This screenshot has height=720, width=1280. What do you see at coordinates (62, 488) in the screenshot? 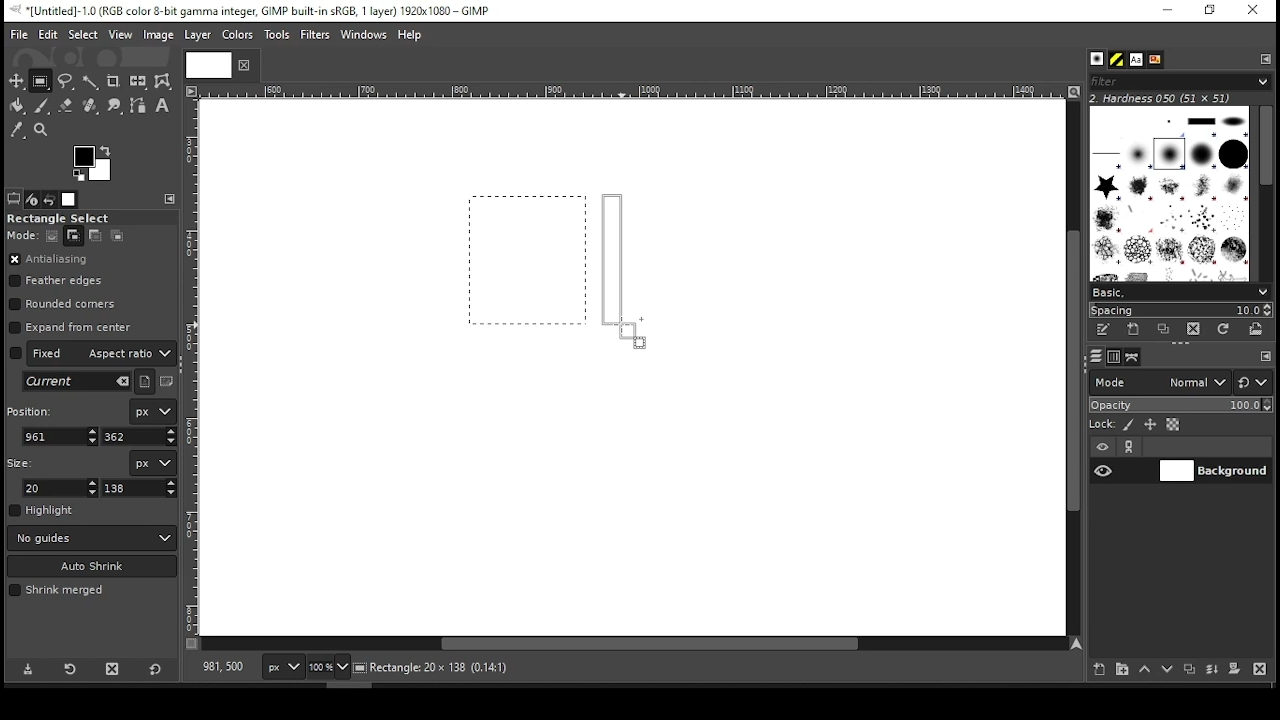
I see `width` at bounding box center [62, 488].